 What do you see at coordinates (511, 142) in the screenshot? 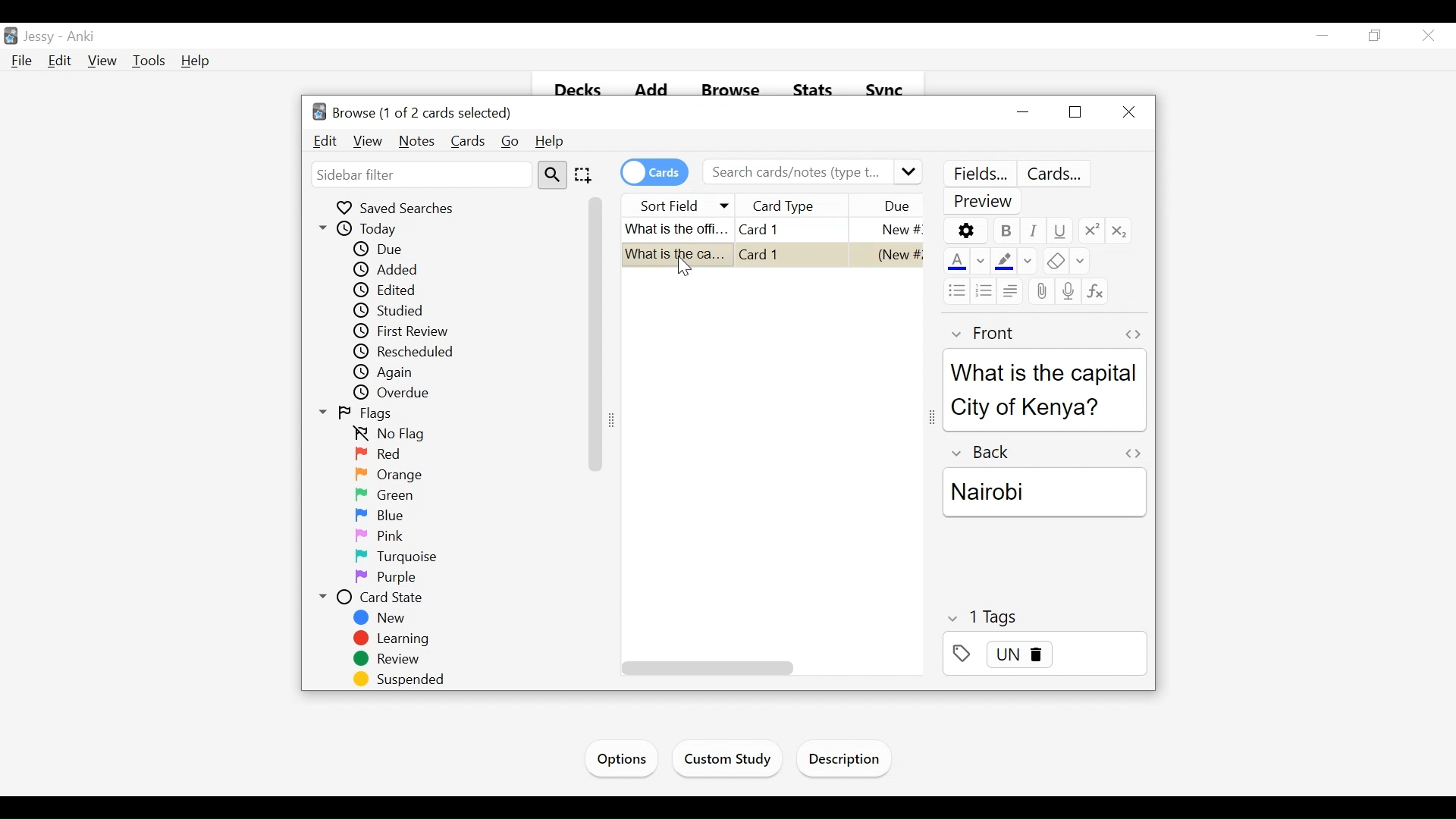
I see `Go` at bounding box center [511, 142].